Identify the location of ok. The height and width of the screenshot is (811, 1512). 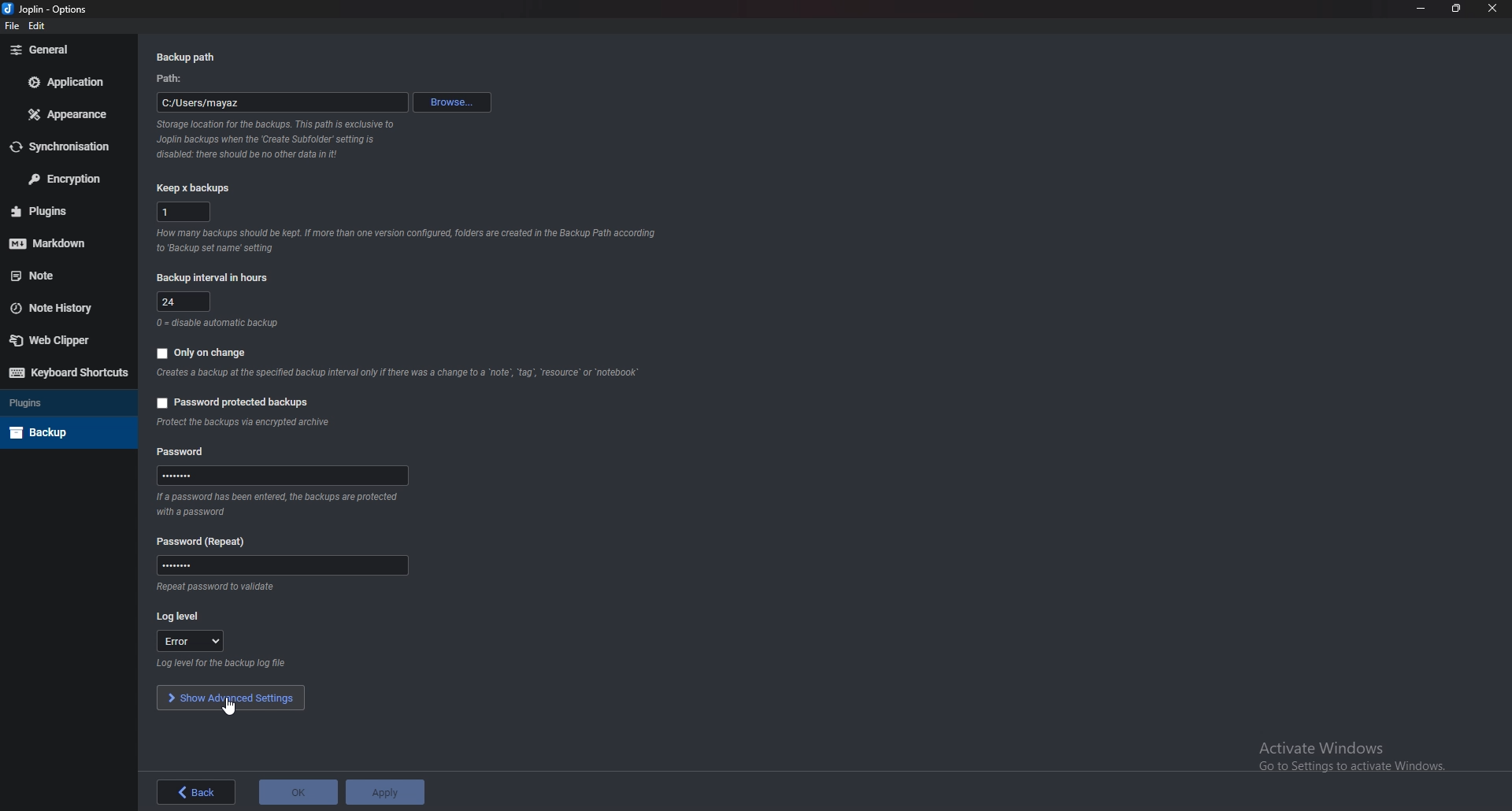
(298, 792).